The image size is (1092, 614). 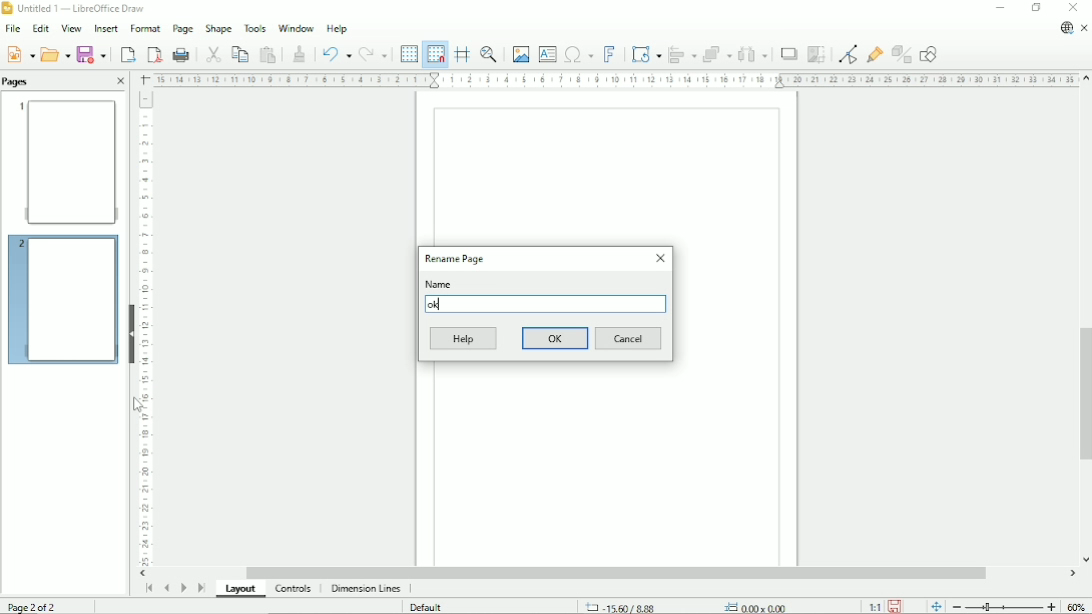 What do you see at coordinates (137, 405) in the screenshot?
I see `Cursor` at bounding box center [137, 405].